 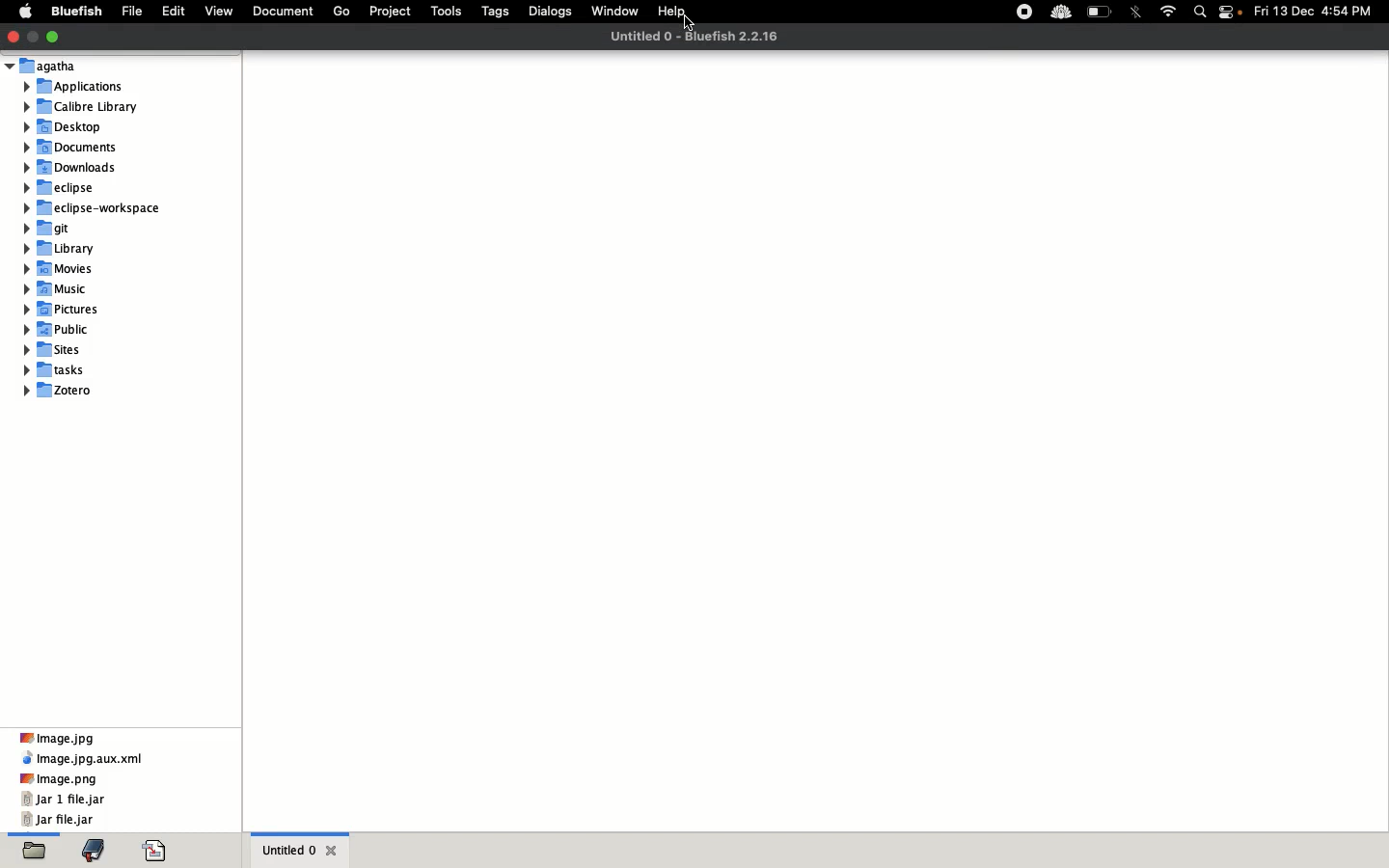 I want to click on Bluefish, so click(x=73, y=10).